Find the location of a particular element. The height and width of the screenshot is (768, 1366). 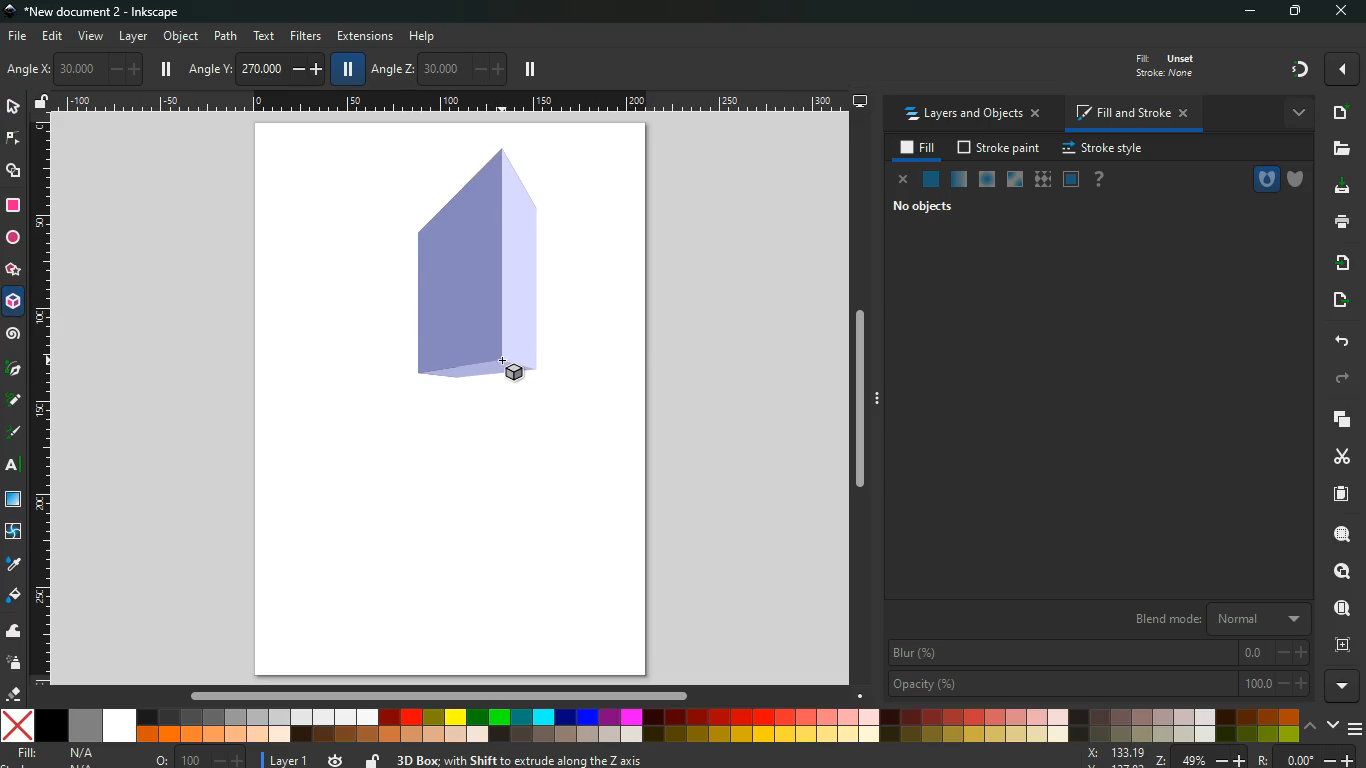

pause is located at coordinates (345, 68).